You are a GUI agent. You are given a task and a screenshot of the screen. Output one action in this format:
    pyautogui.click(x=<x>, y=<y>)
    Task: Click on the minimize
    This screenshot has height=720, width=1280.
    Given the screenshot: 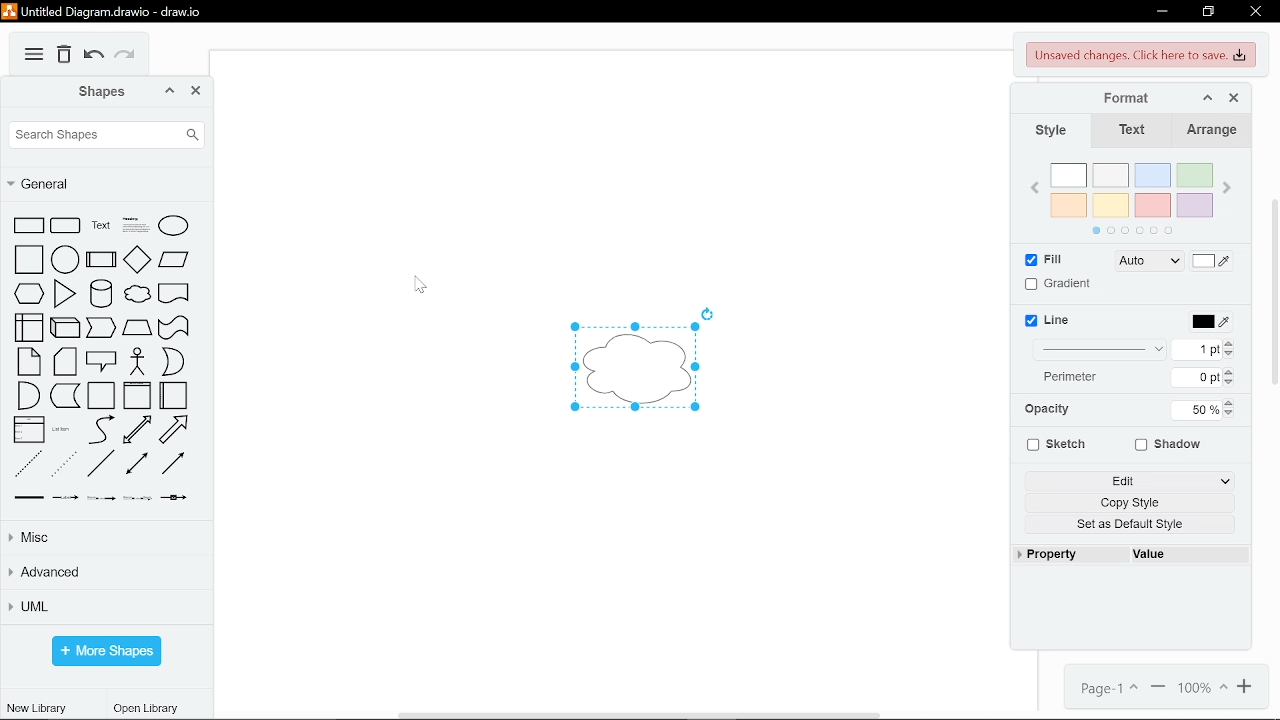 What is the action you would take?
    pyautogui.click(x=1161, y=9)
    